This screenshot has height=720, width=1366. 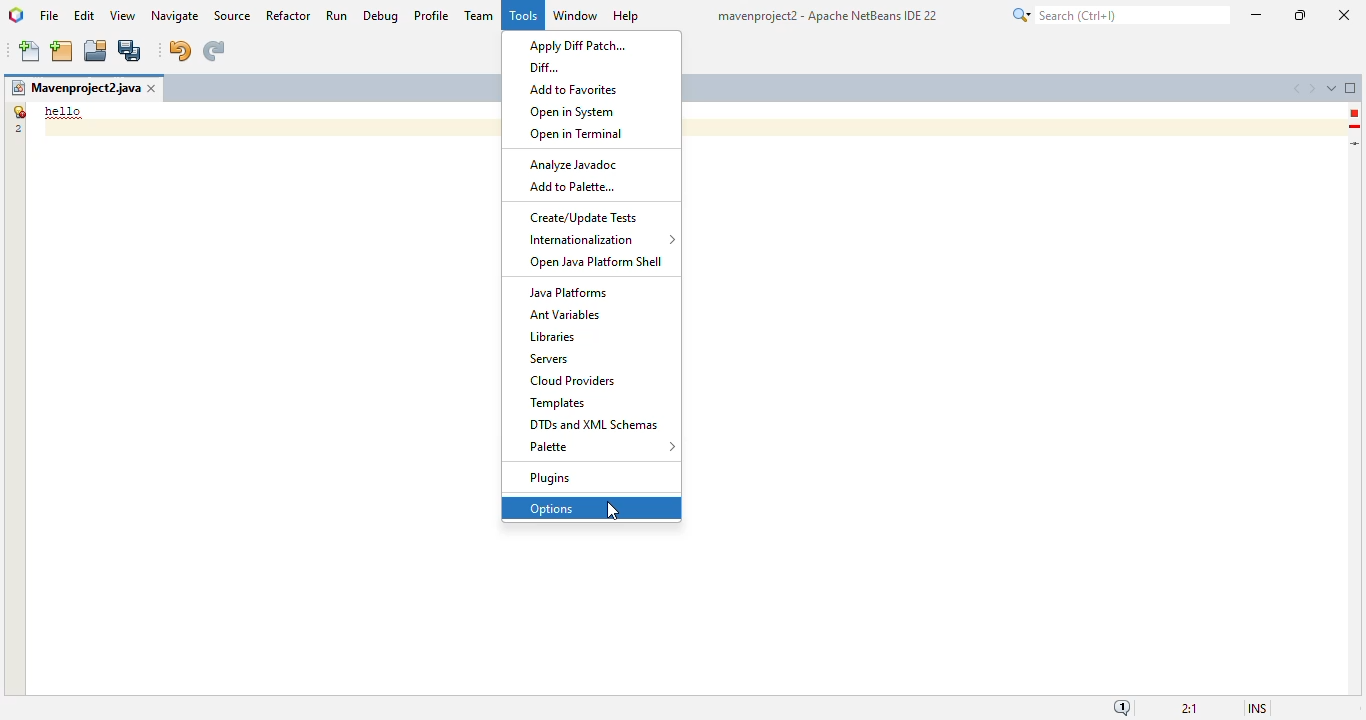 I want to click on save all, so click(x=130, y=51).